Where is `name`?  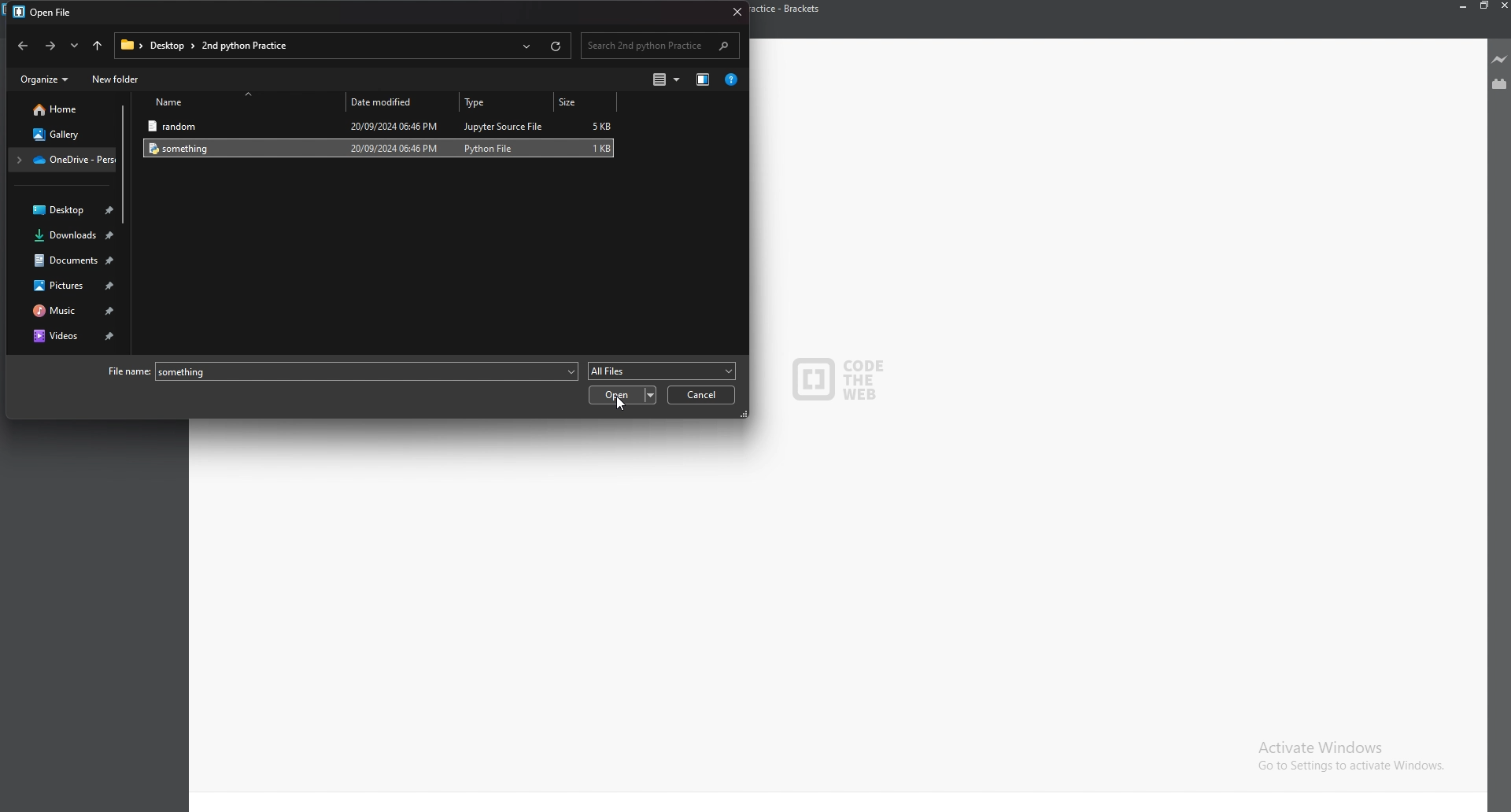
name is located at coordinates (242, 103).